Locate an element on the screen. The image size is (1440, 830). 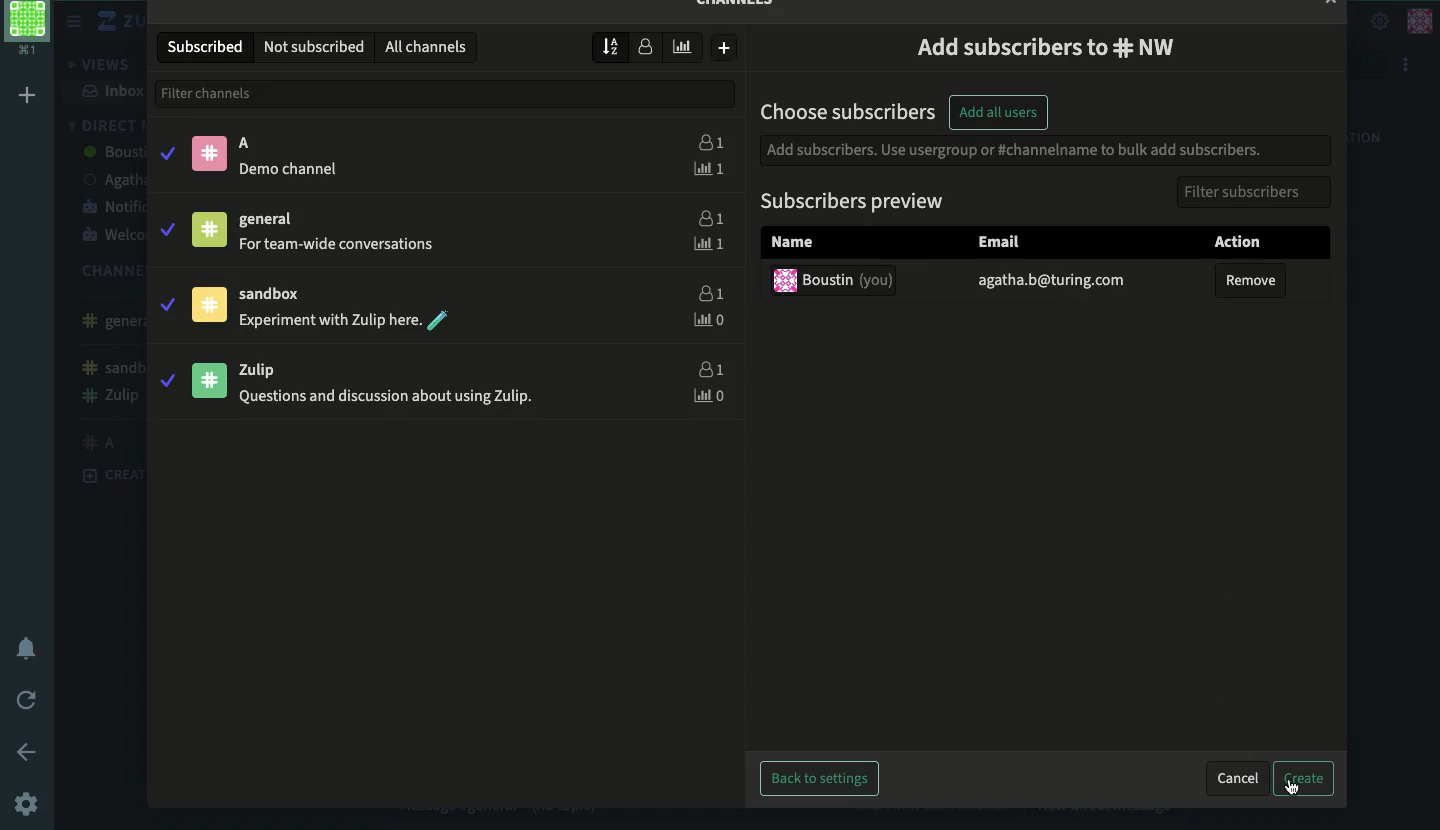
subscribers preview is located at coordinates (852, 202).